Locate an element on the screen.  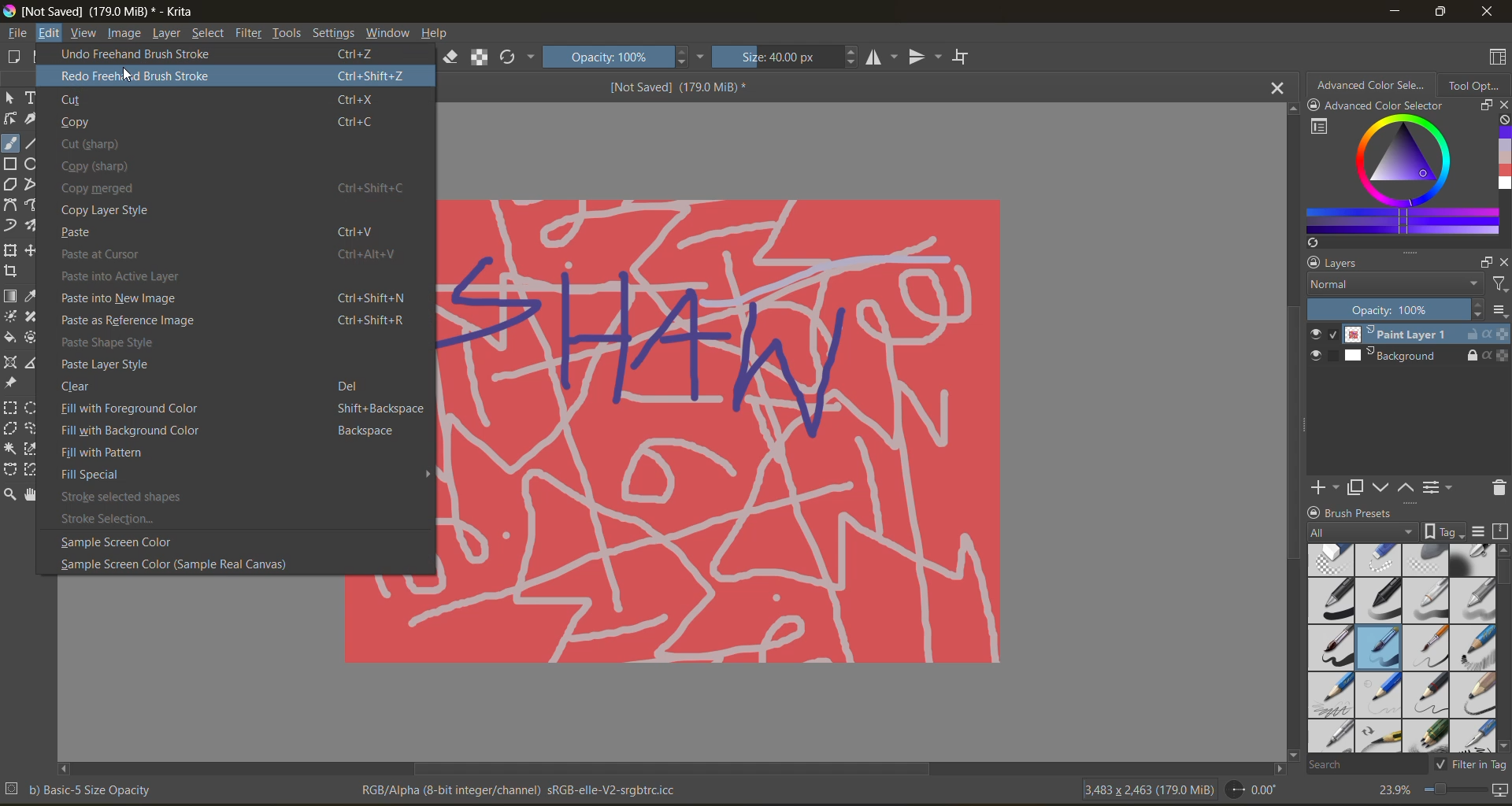
create is located at coordinates (13, 56).